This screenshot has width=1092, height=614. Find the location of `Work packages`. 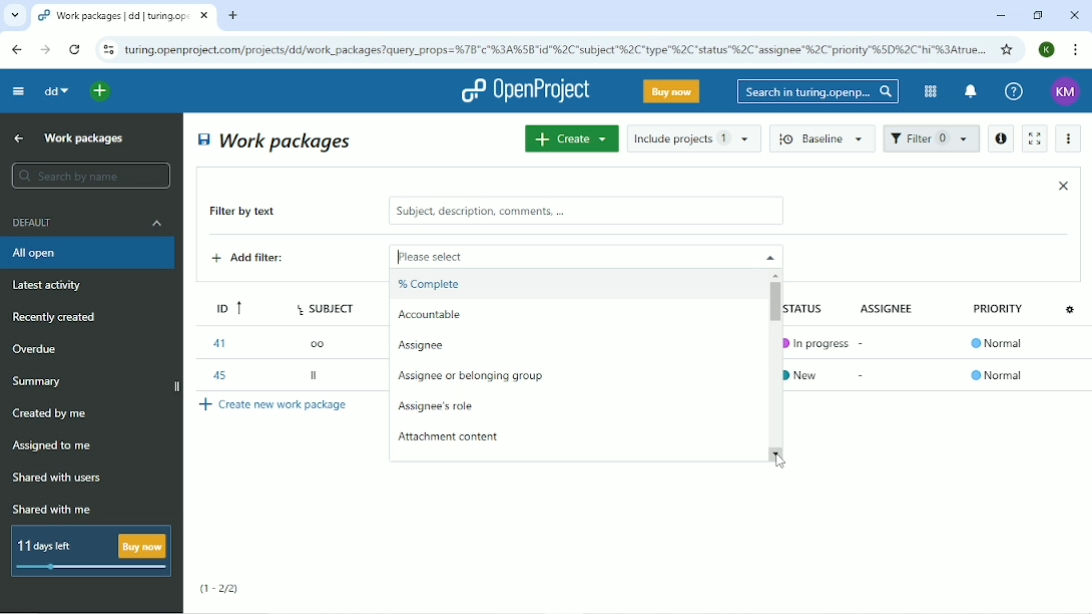

Work packages is located at coordinates (276, 140).